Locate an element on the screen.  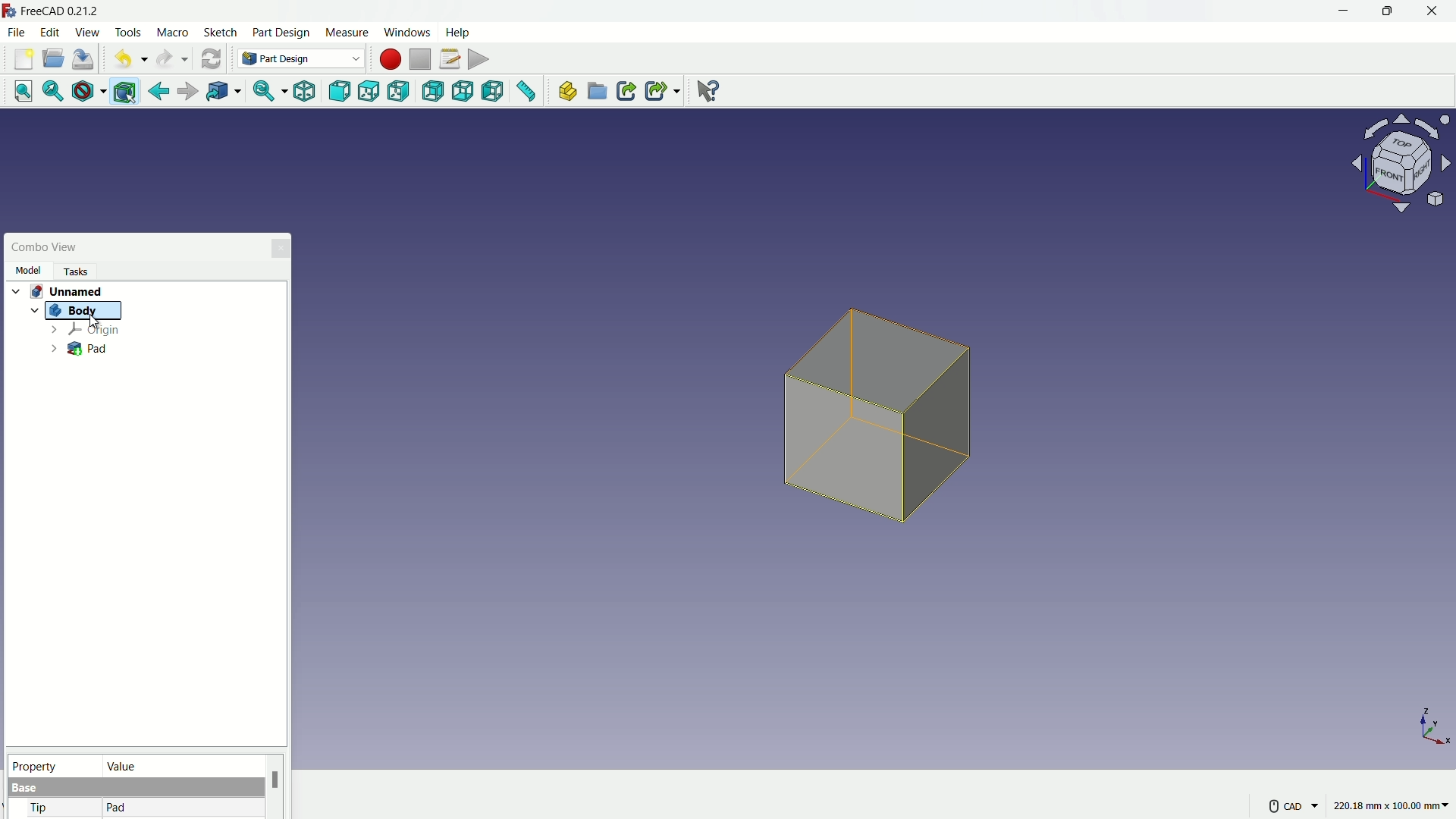
go to linked object is located at coordinates (222, 93).